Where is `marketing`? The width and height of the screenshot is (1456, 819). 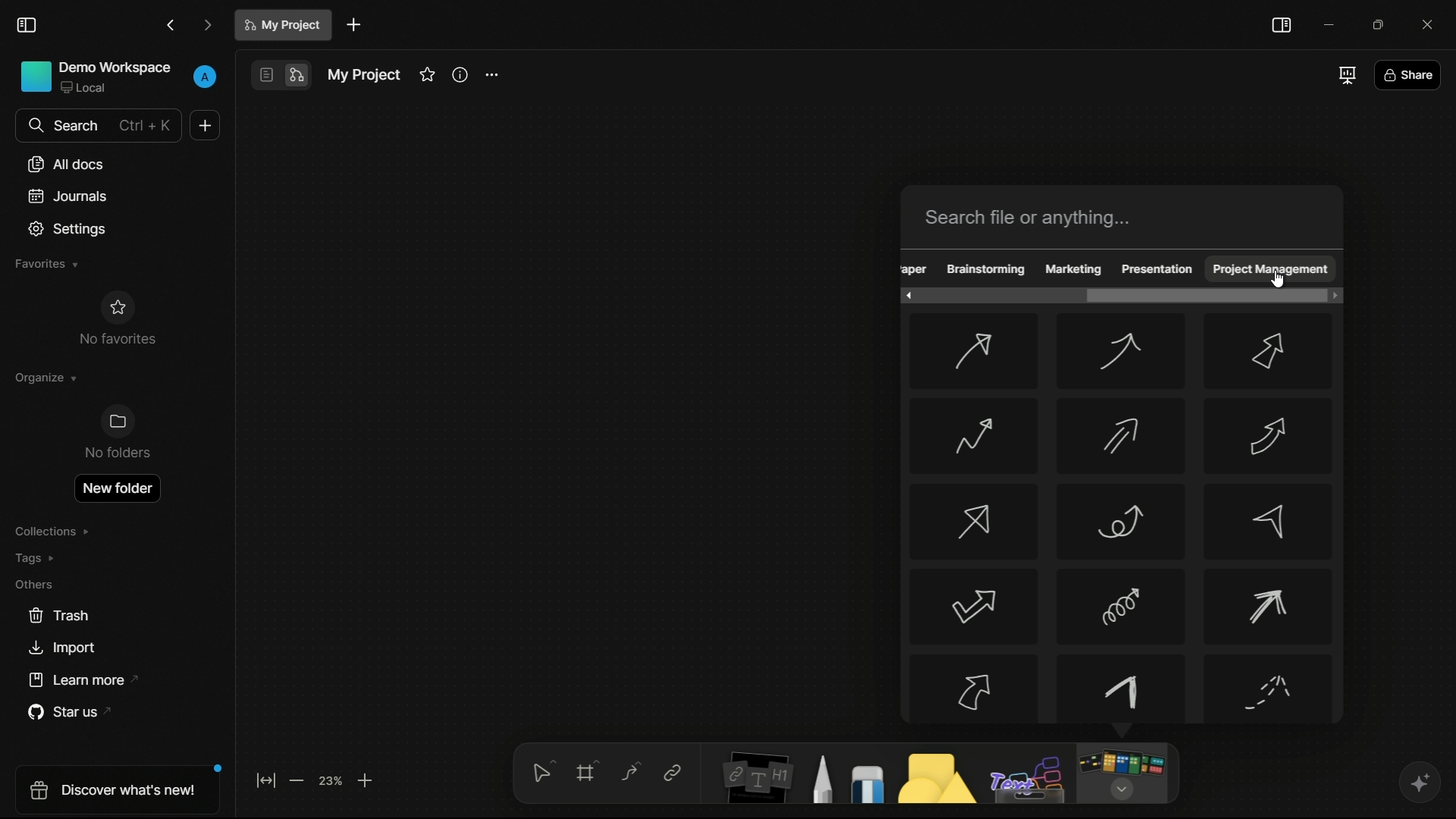 marketing is located at coordinates (1074, 268).